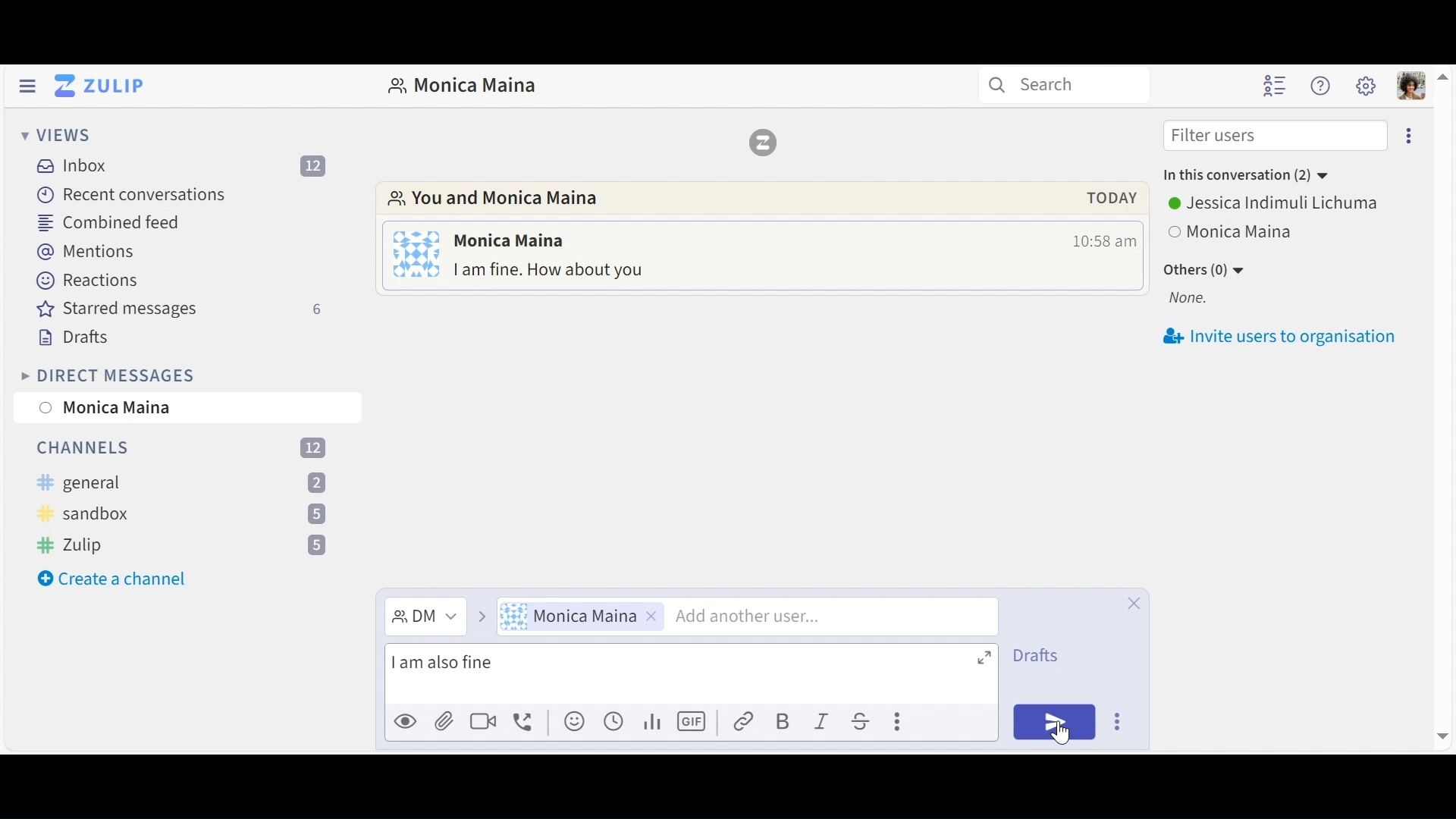 The width and height of the screenshot is (1456, 819). What do you see at coordinates (1053, 723) in the screenshot?
I see `Send` at bounding box center [1053, 723].